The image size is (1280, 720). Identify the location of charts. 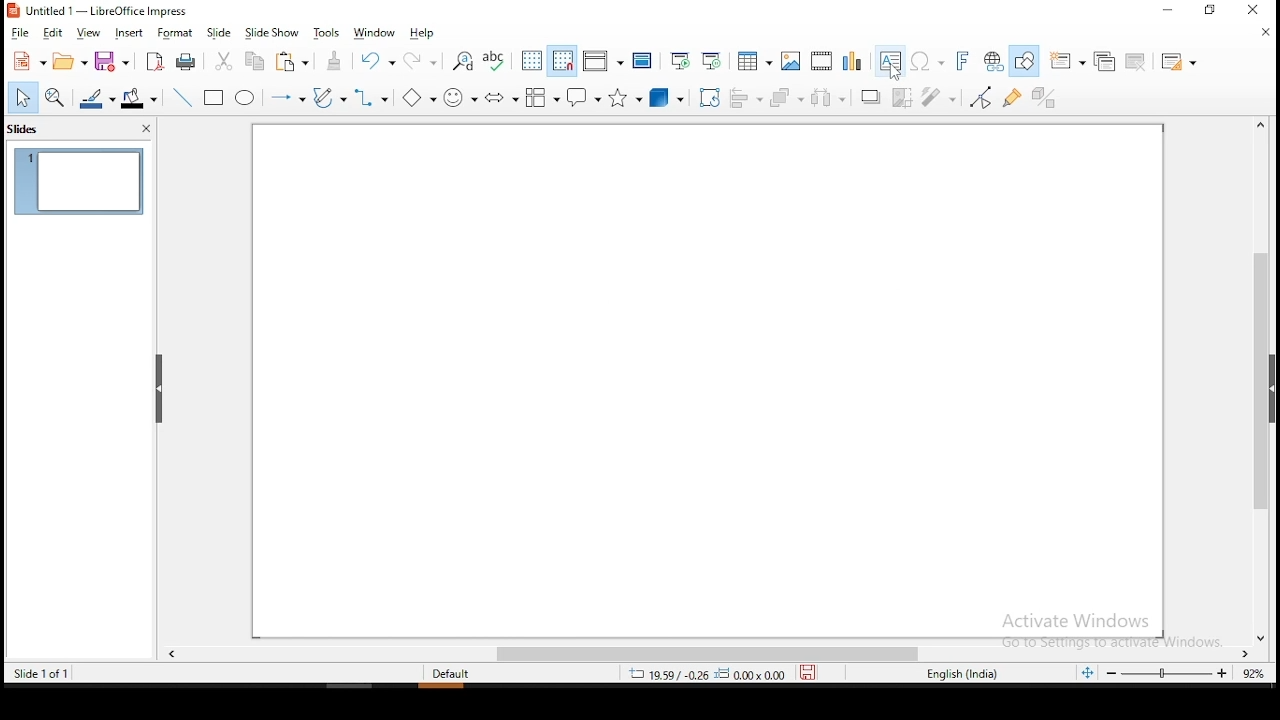
(852, 61).